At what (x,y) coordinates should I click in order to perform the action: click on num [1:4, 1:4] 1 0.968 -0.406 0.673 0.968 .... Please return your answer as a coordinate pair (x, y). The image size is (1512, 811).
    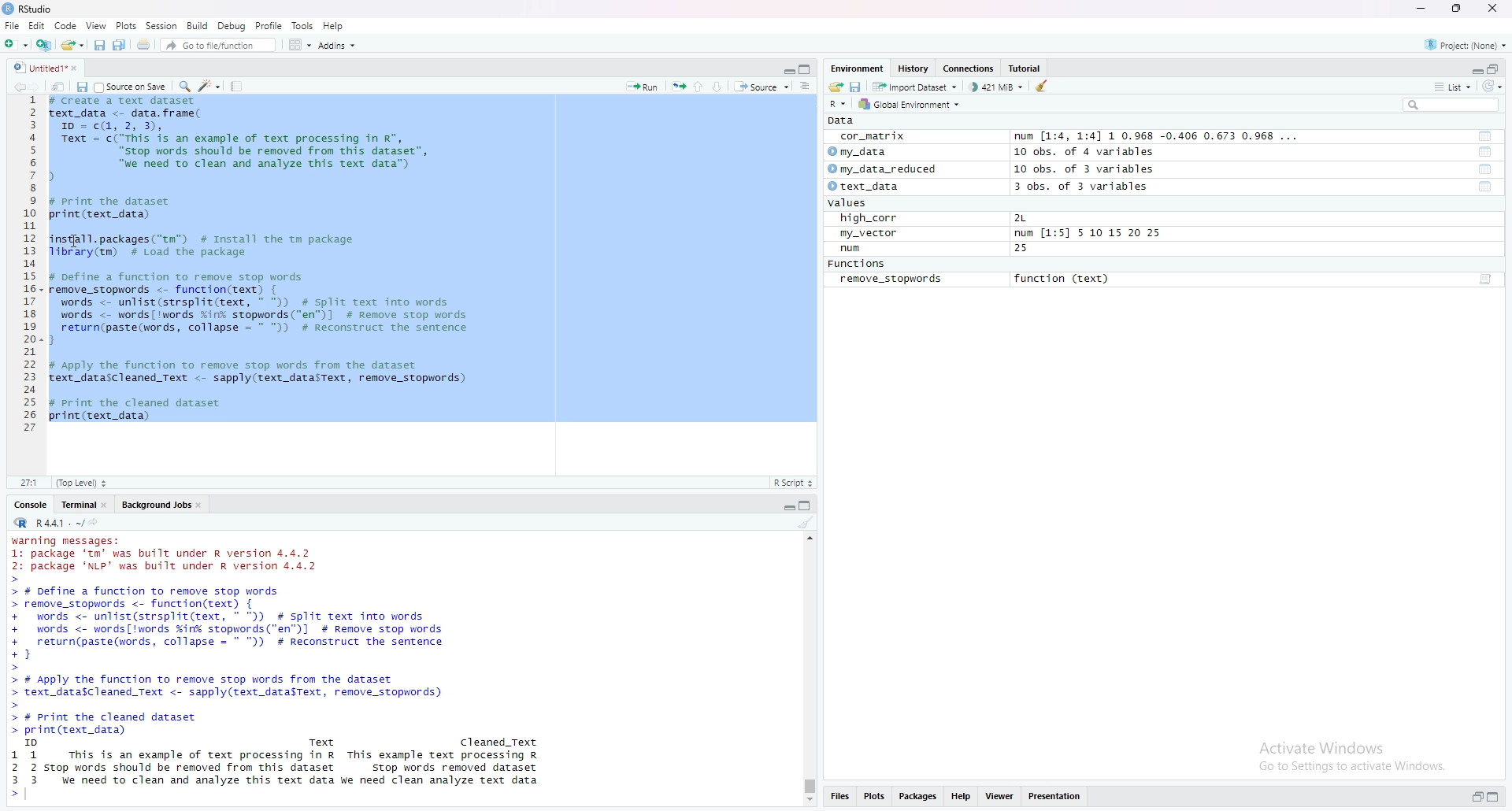
    Looking at the image, I should click on (1161, 135).